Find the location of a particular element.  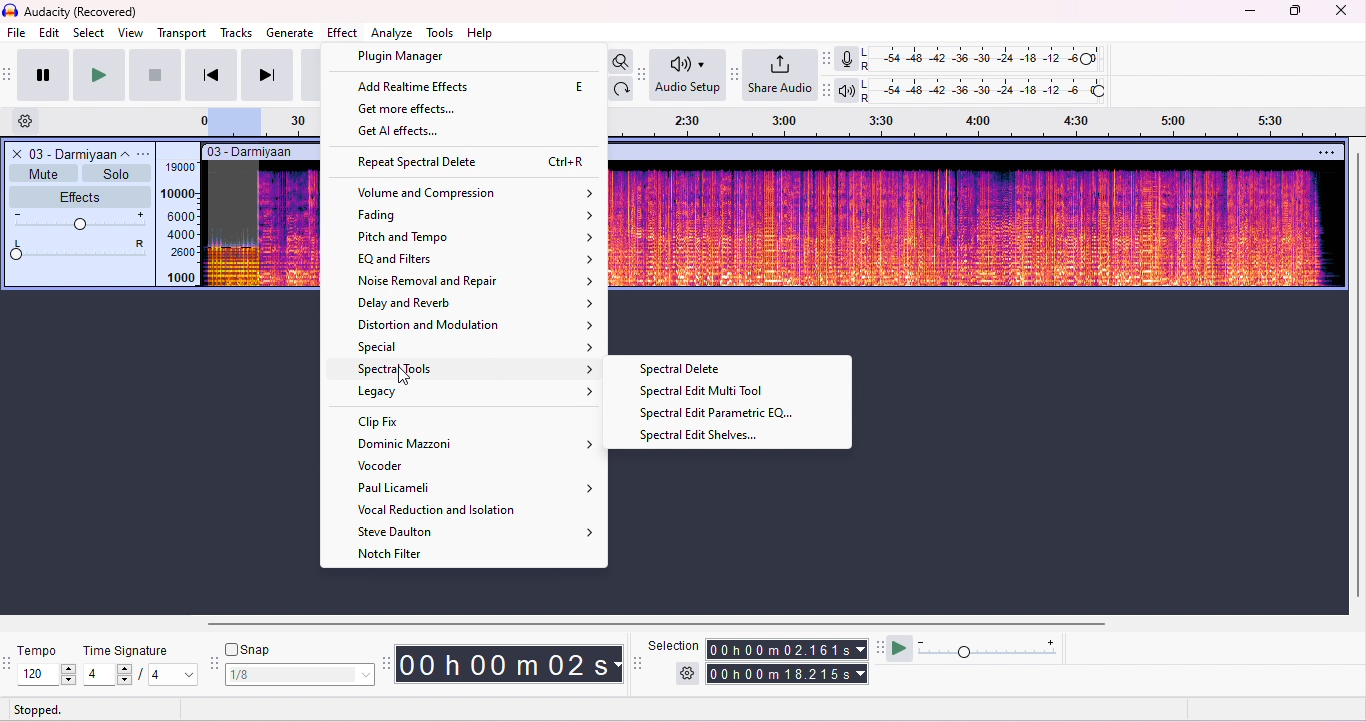

get all effects is located at coordinates (450, 90).